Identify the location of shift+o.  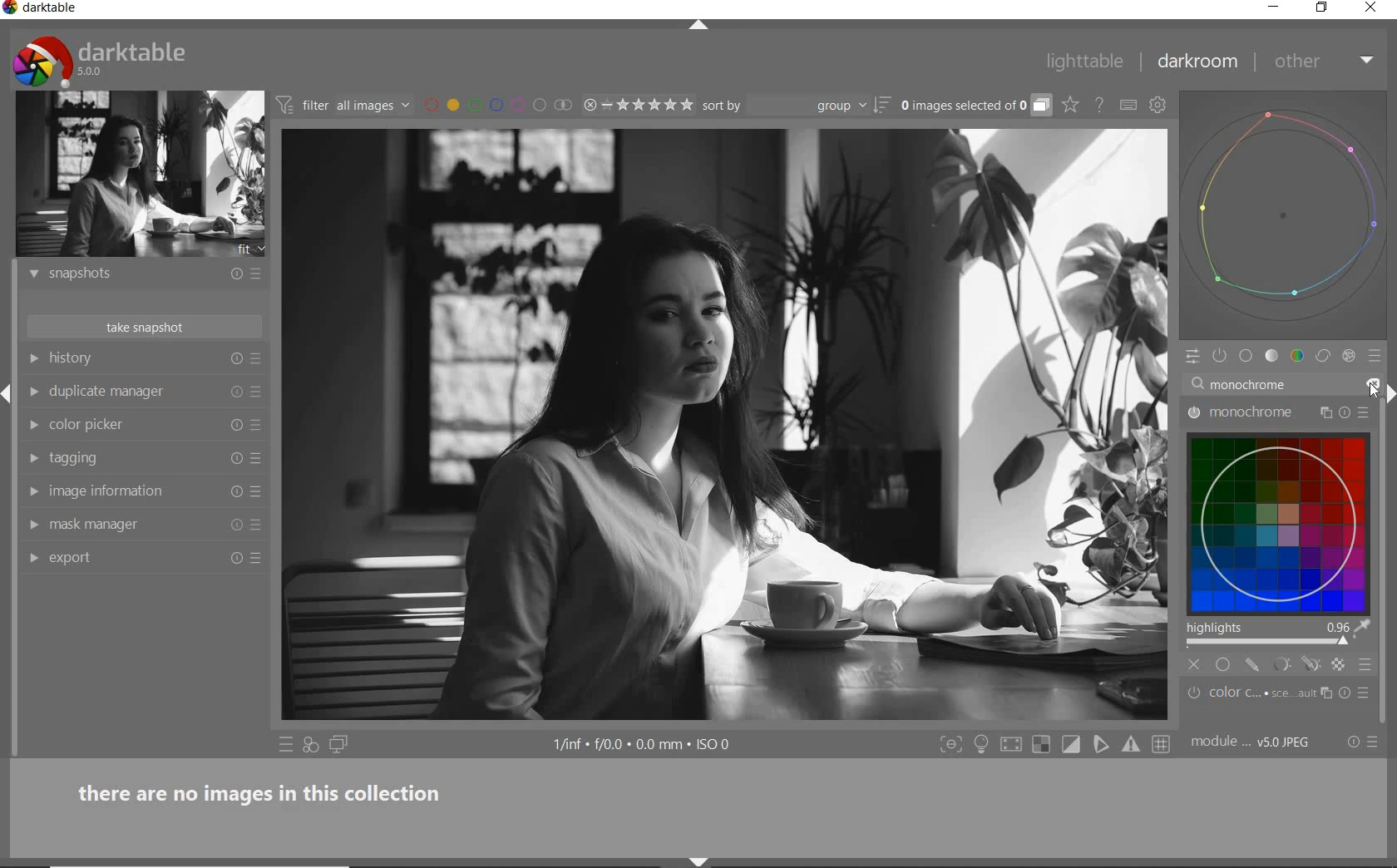
(1040, 746).